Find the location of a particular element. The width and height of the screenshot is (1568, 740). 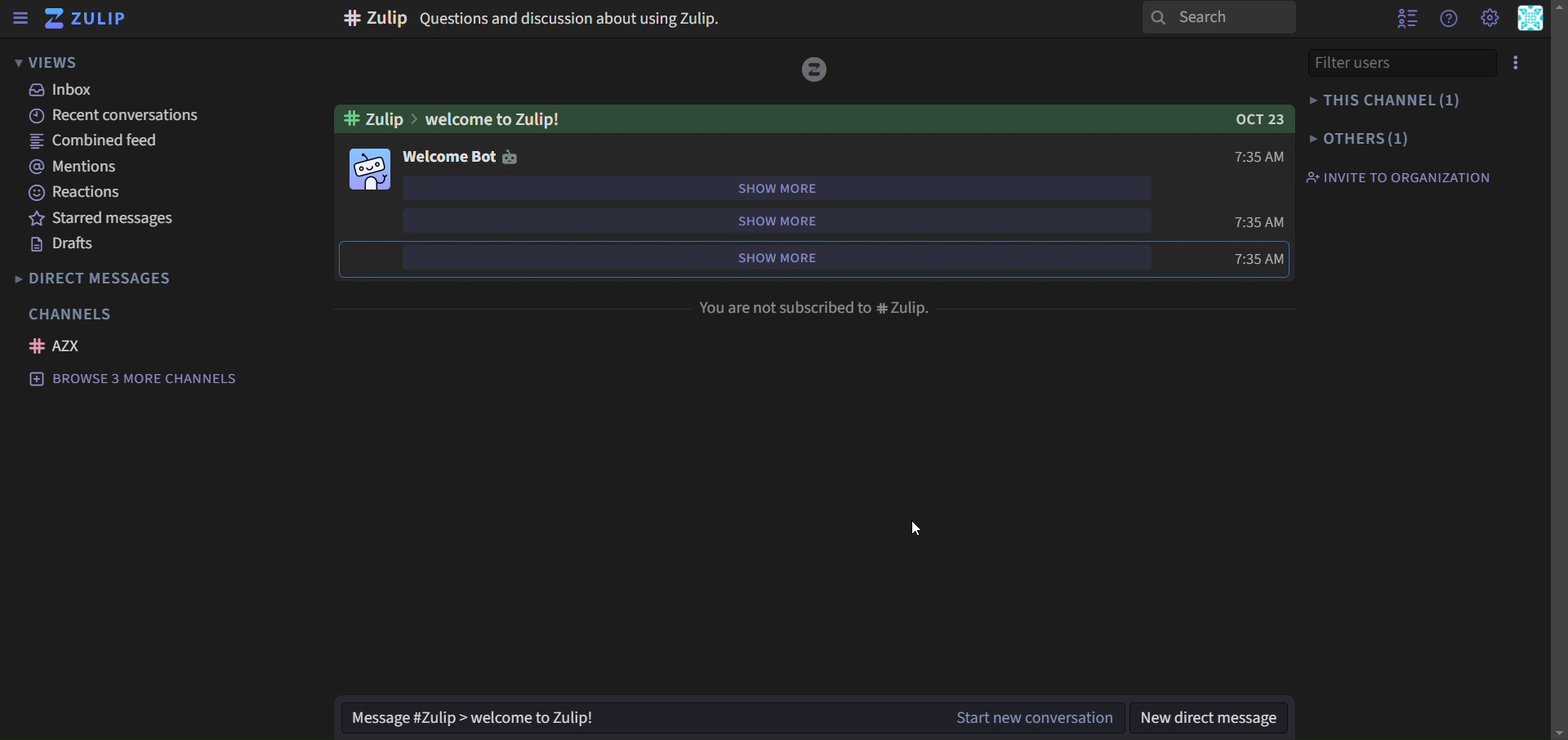

zulip is located at coordinates (87, 20).